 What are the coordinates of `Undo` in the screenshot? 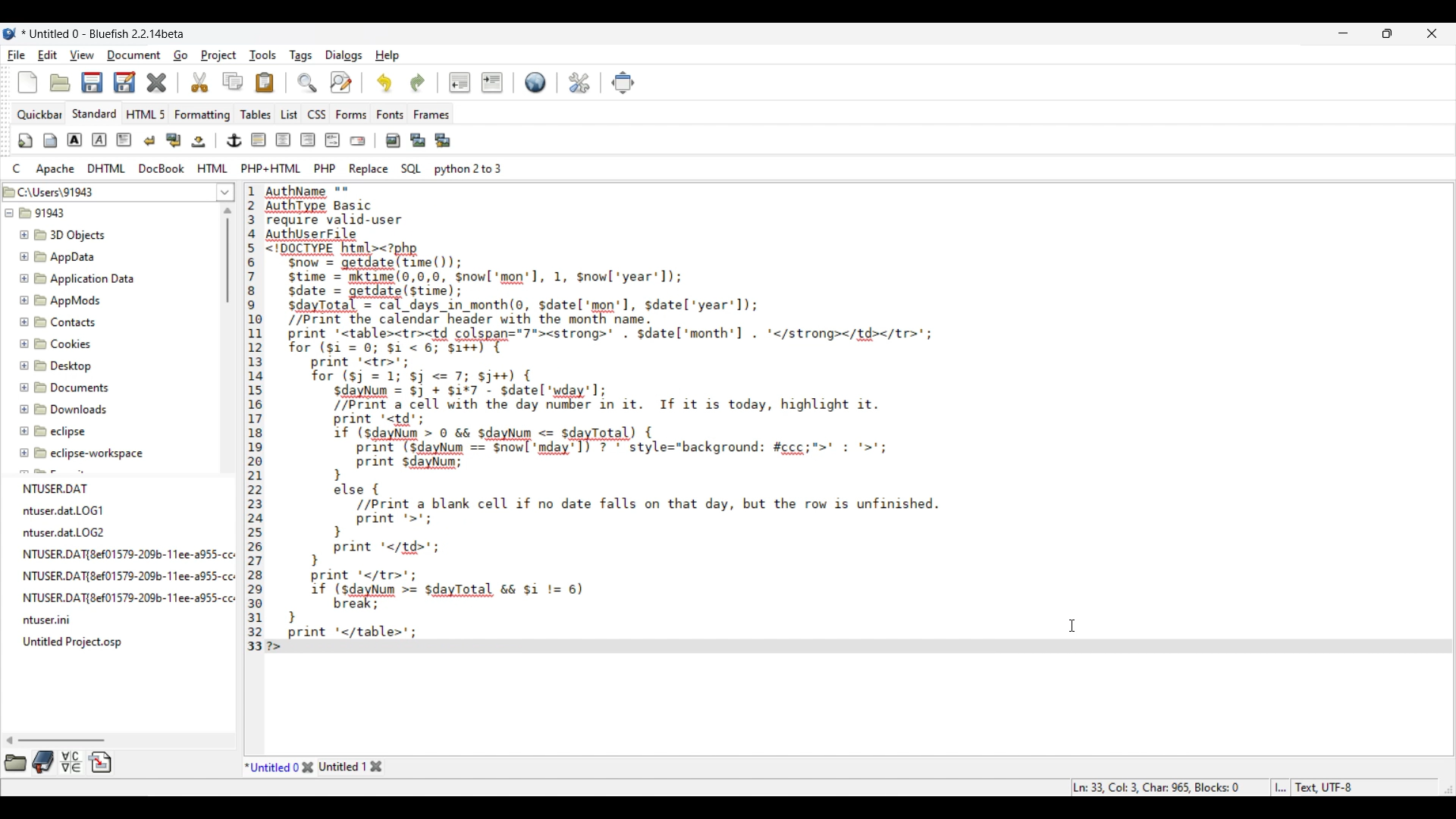 It's located at (384, 83).